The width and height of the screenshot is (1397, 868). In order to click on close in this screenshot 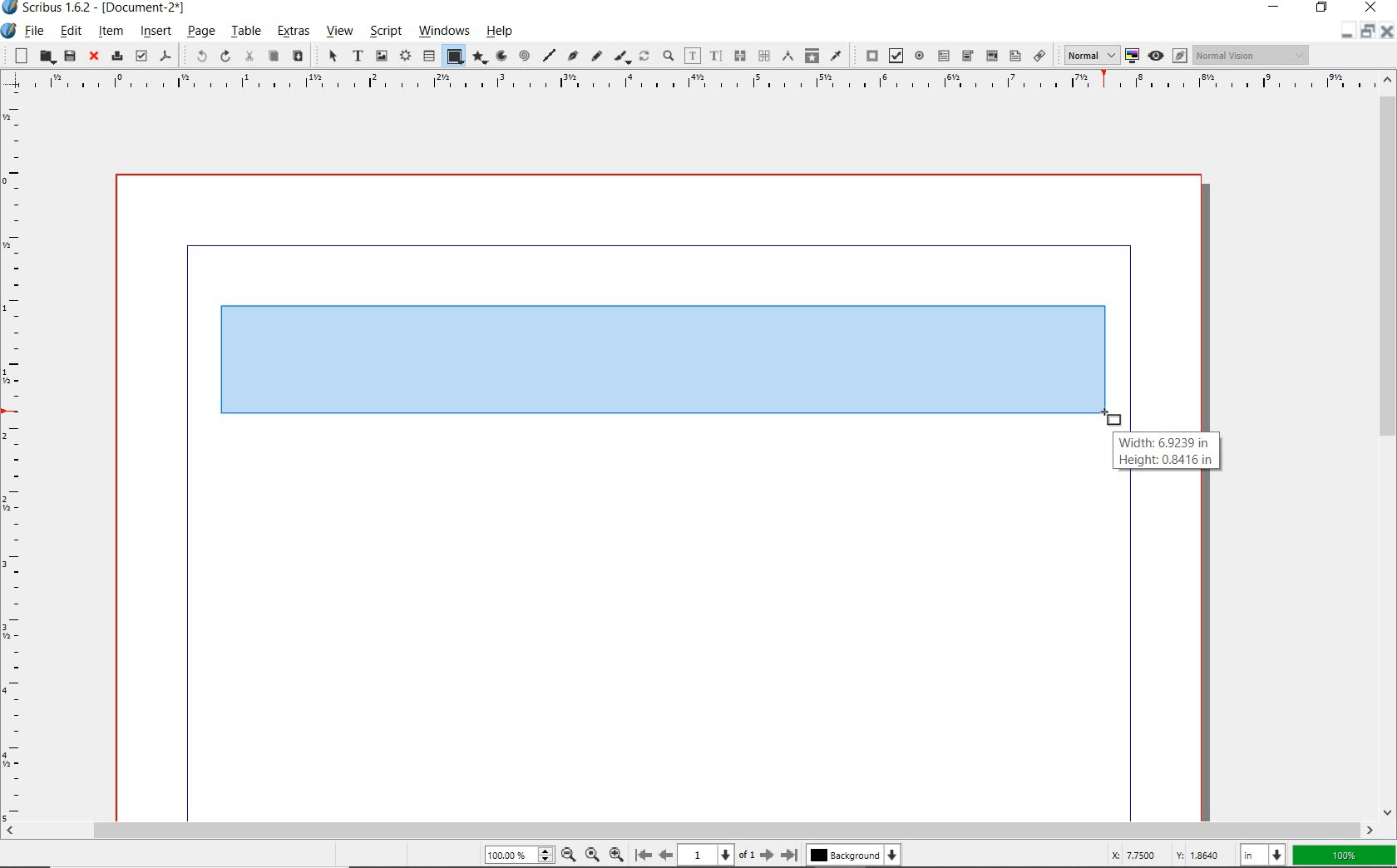, I will do `click(95, 57)`.